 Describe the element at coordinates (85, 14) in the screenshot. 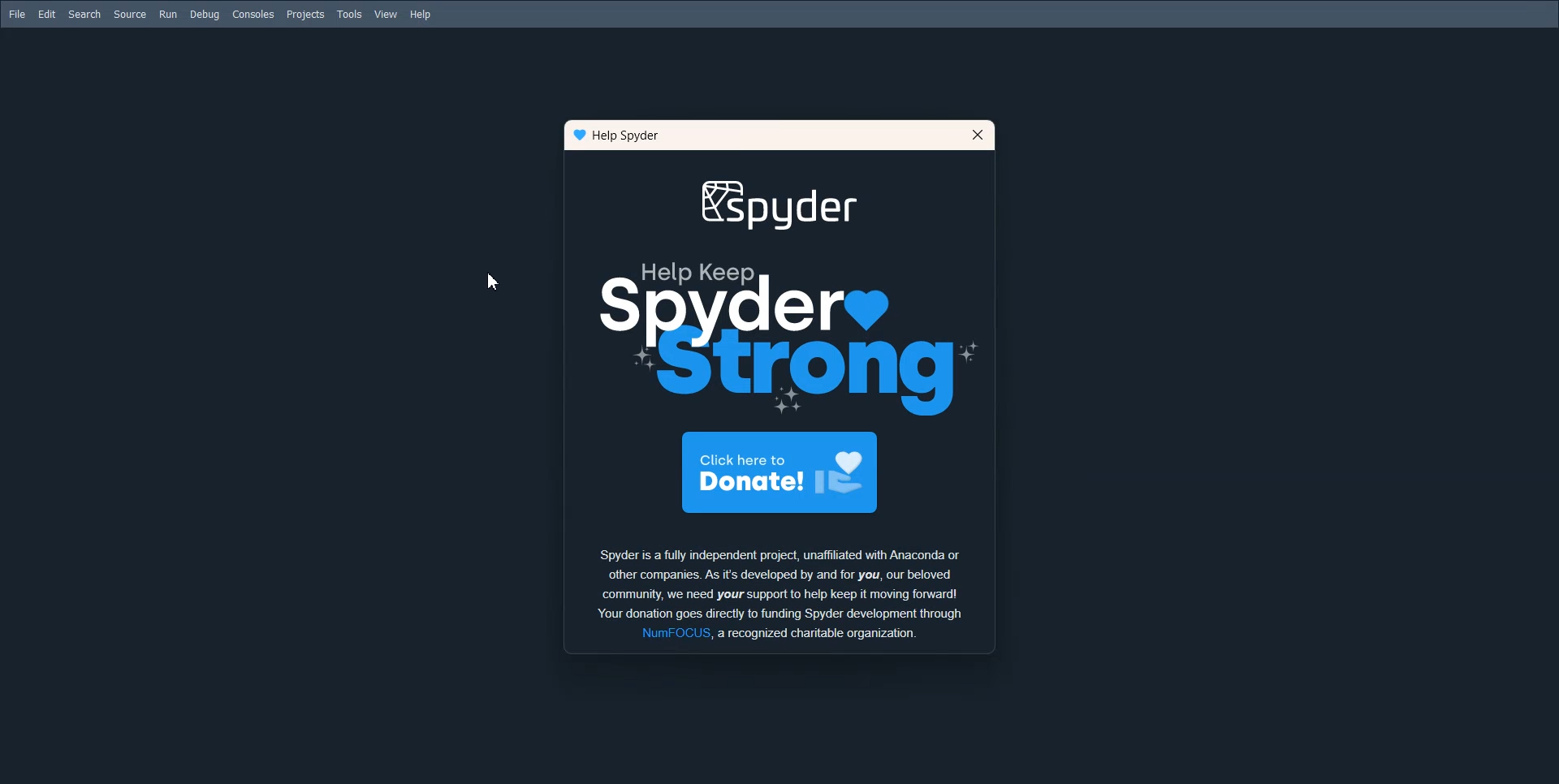

I see `Search` at that location.